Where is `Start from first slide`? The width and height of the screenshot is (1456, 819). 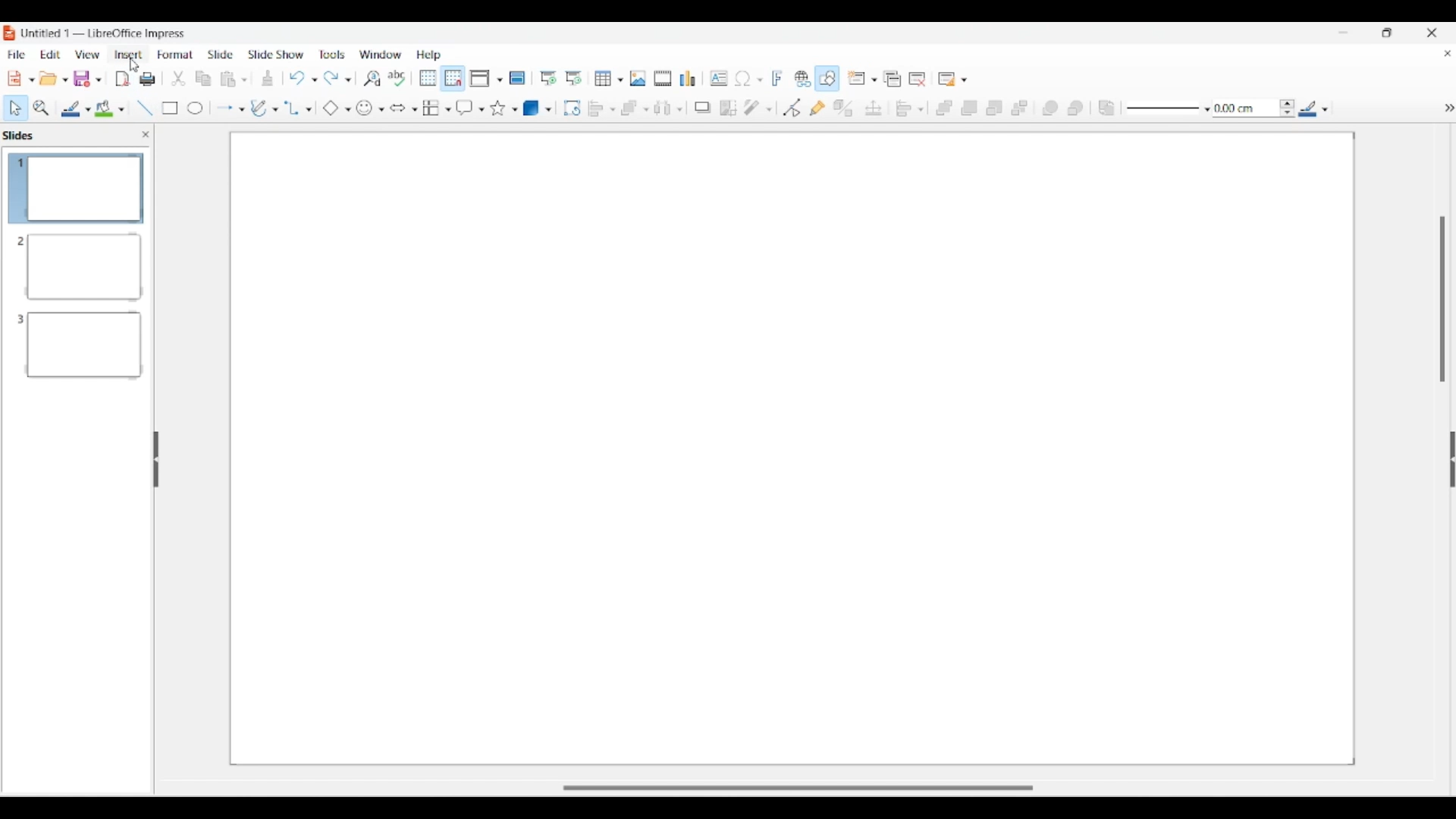
Start from first slide is located at coordinates (548, 78).